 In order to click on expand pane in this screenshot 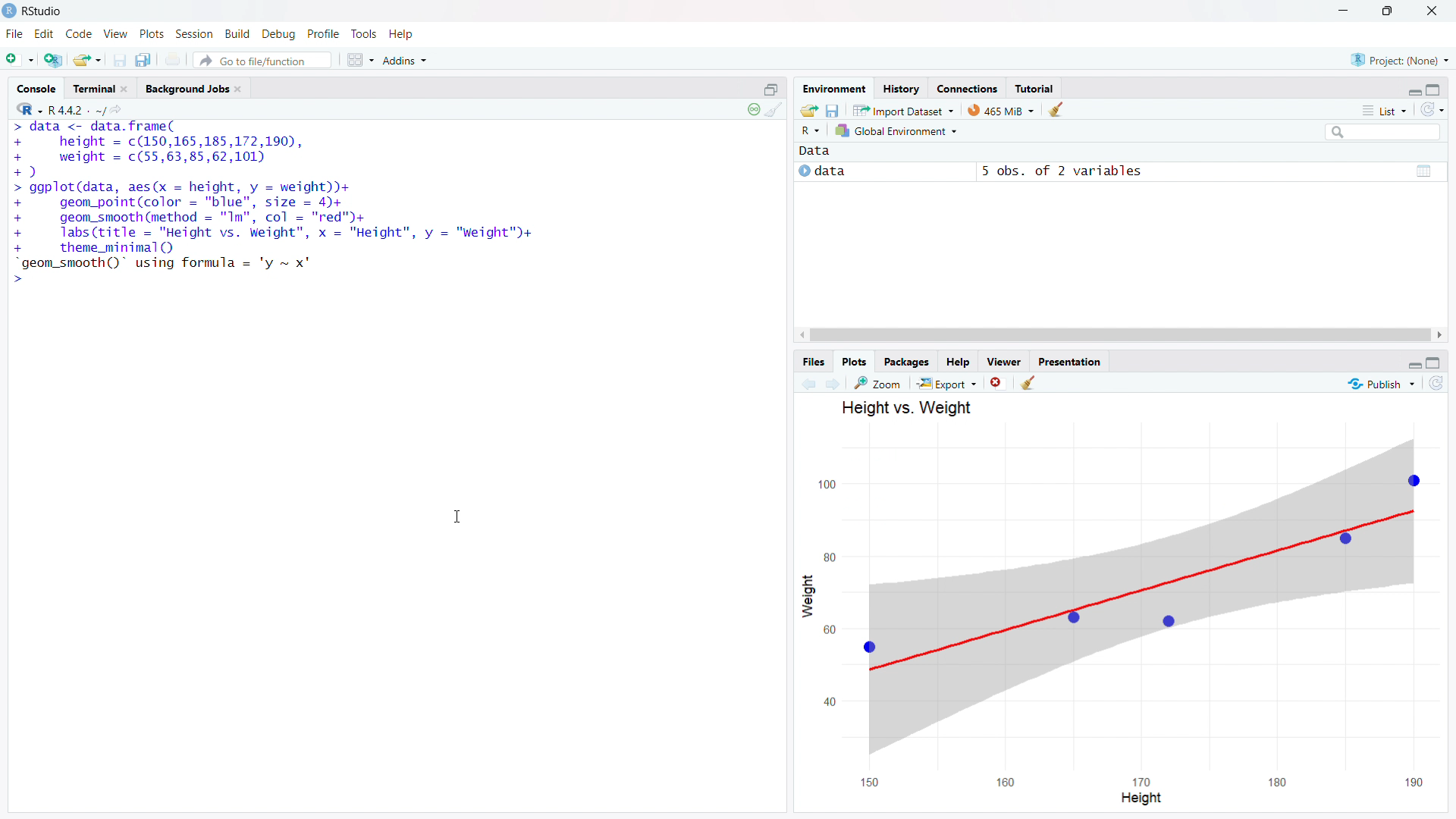, I will do `click(1436, 363)`.